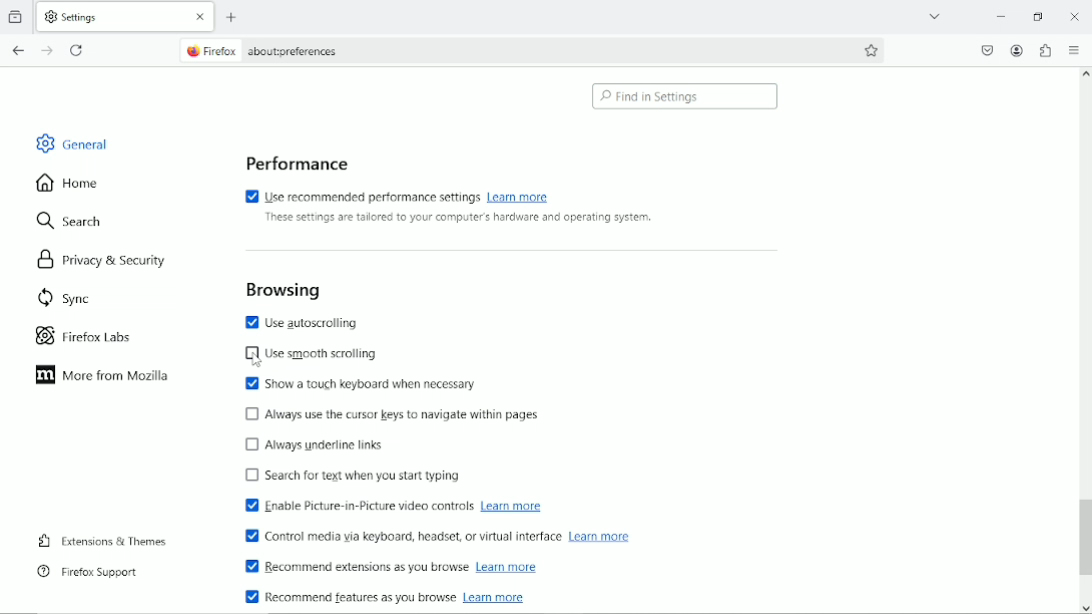 This screenshot has height=614, width=1092. What do you see at coordinates (987, 49) in the screenshot?
I see `save to pocket` at bounding box center [987, 49].